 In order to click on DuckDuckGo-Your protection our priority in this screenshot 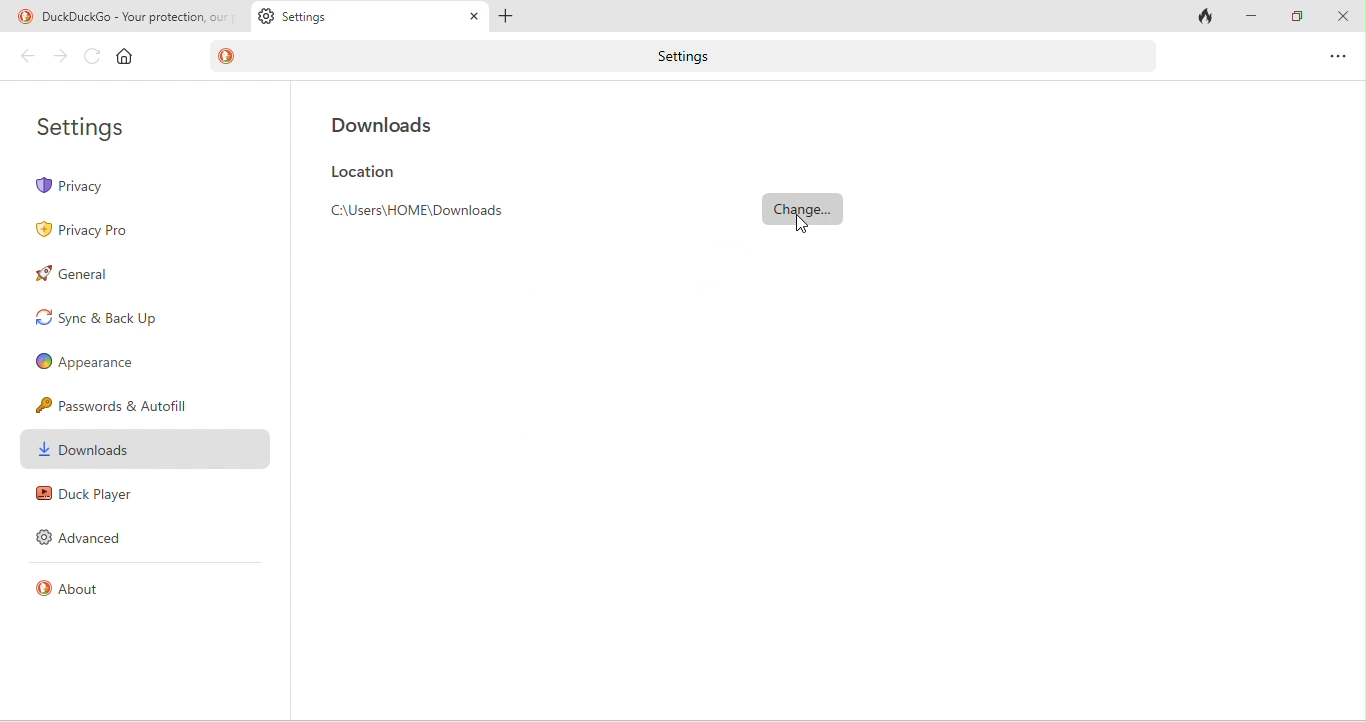, I will do `click(123, 17)`.